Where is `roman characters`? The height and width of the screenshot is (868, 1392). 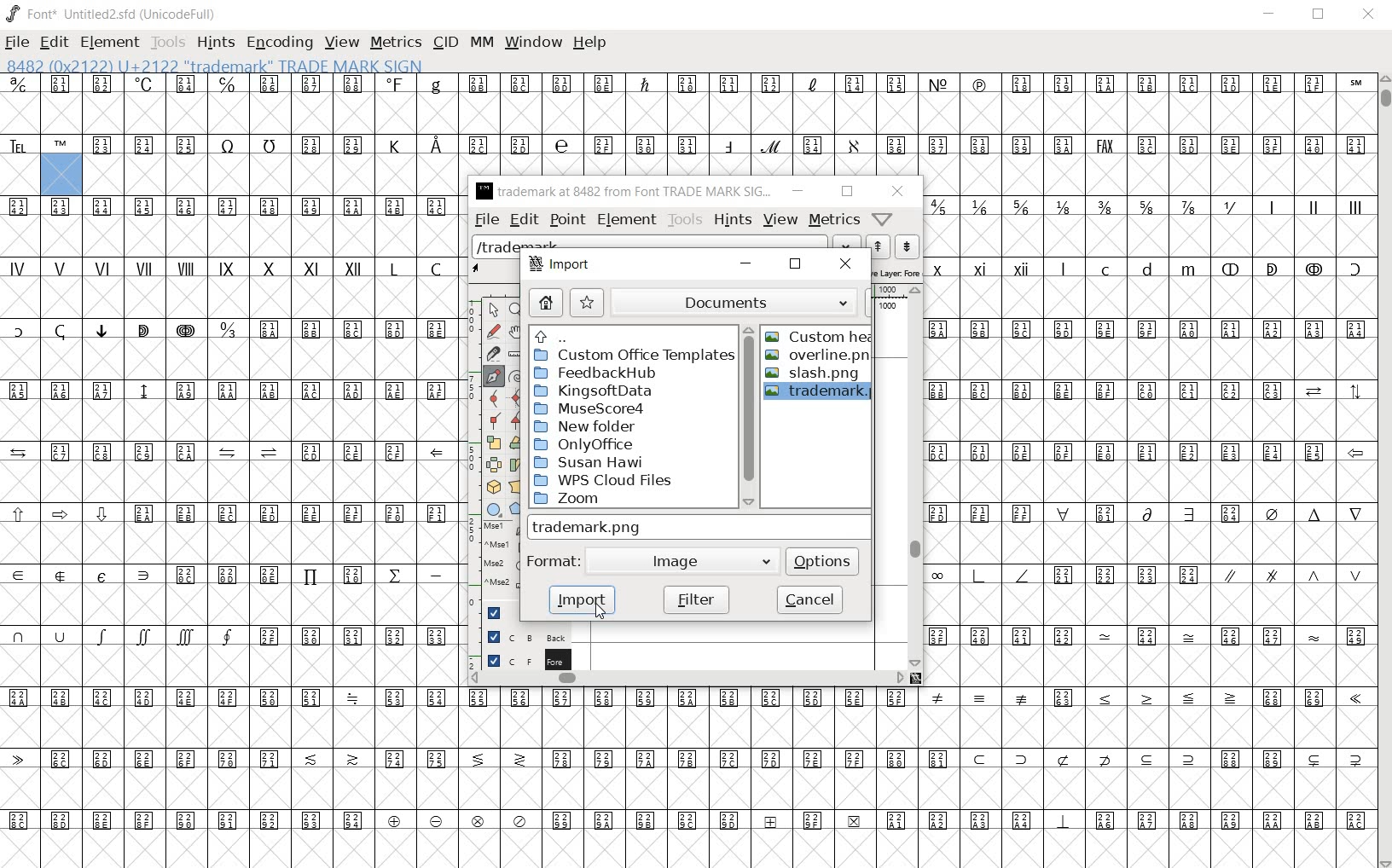
roman characters is located at coordinates (229, 286).